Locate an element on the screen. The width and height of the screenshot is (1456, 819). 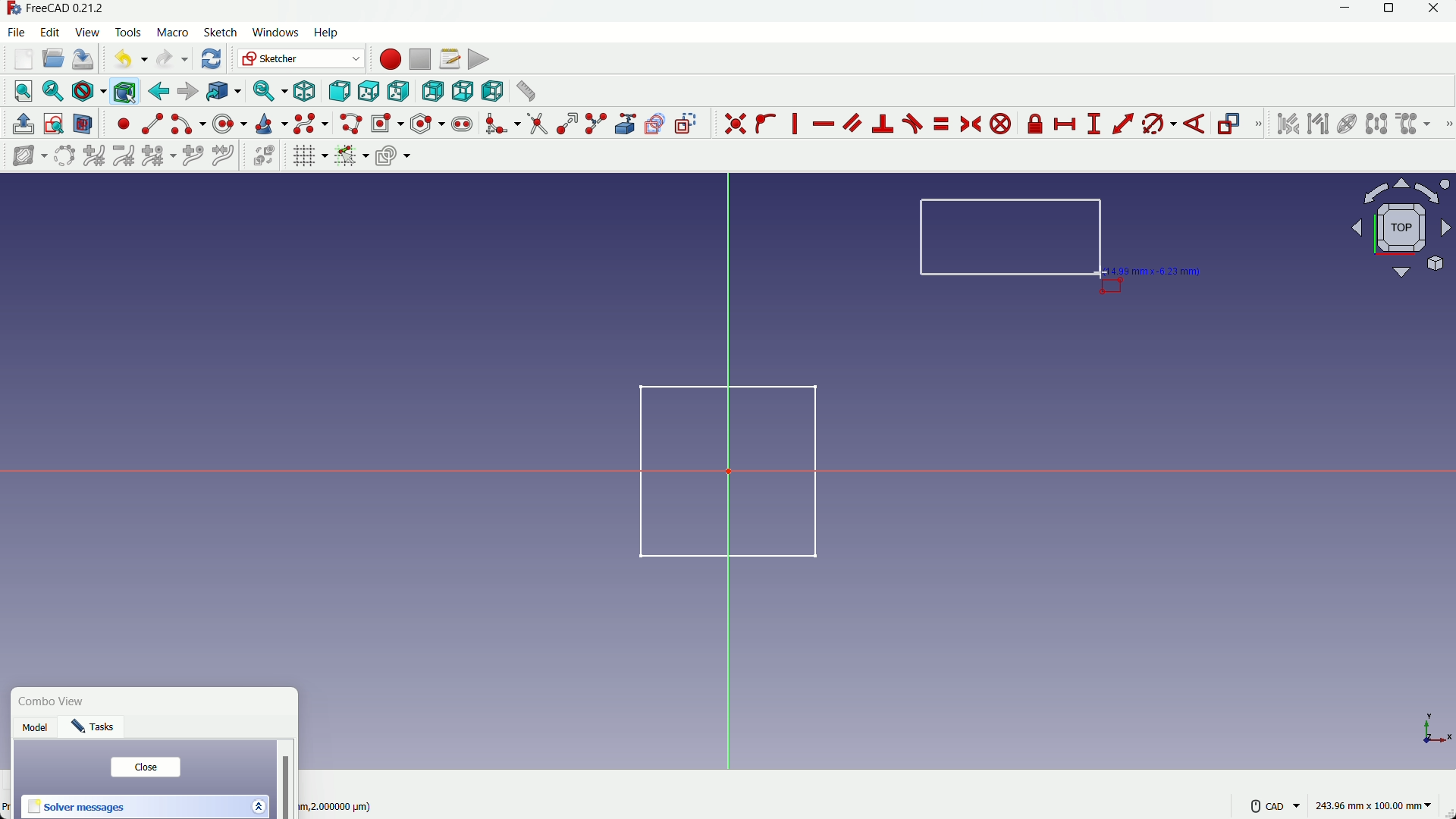
more settings is located at coordinates (1276, 806).